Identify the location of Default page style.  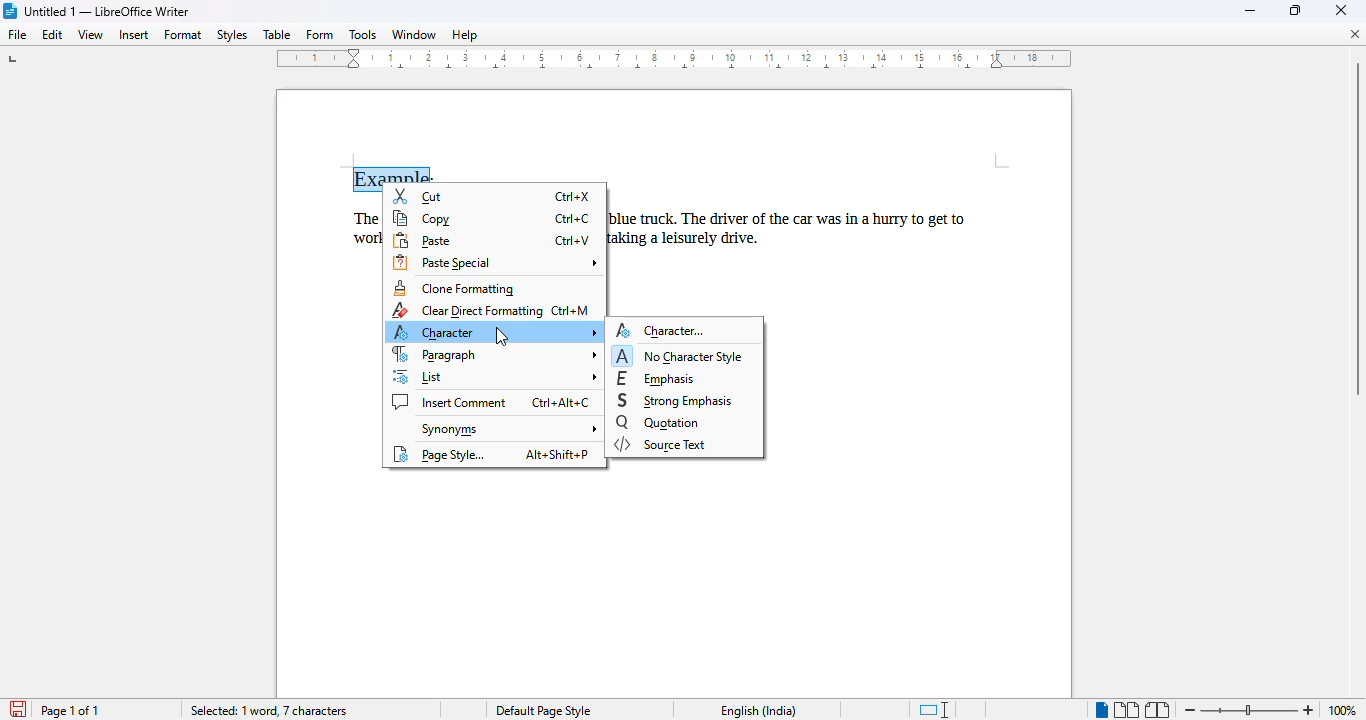
(543, 711).